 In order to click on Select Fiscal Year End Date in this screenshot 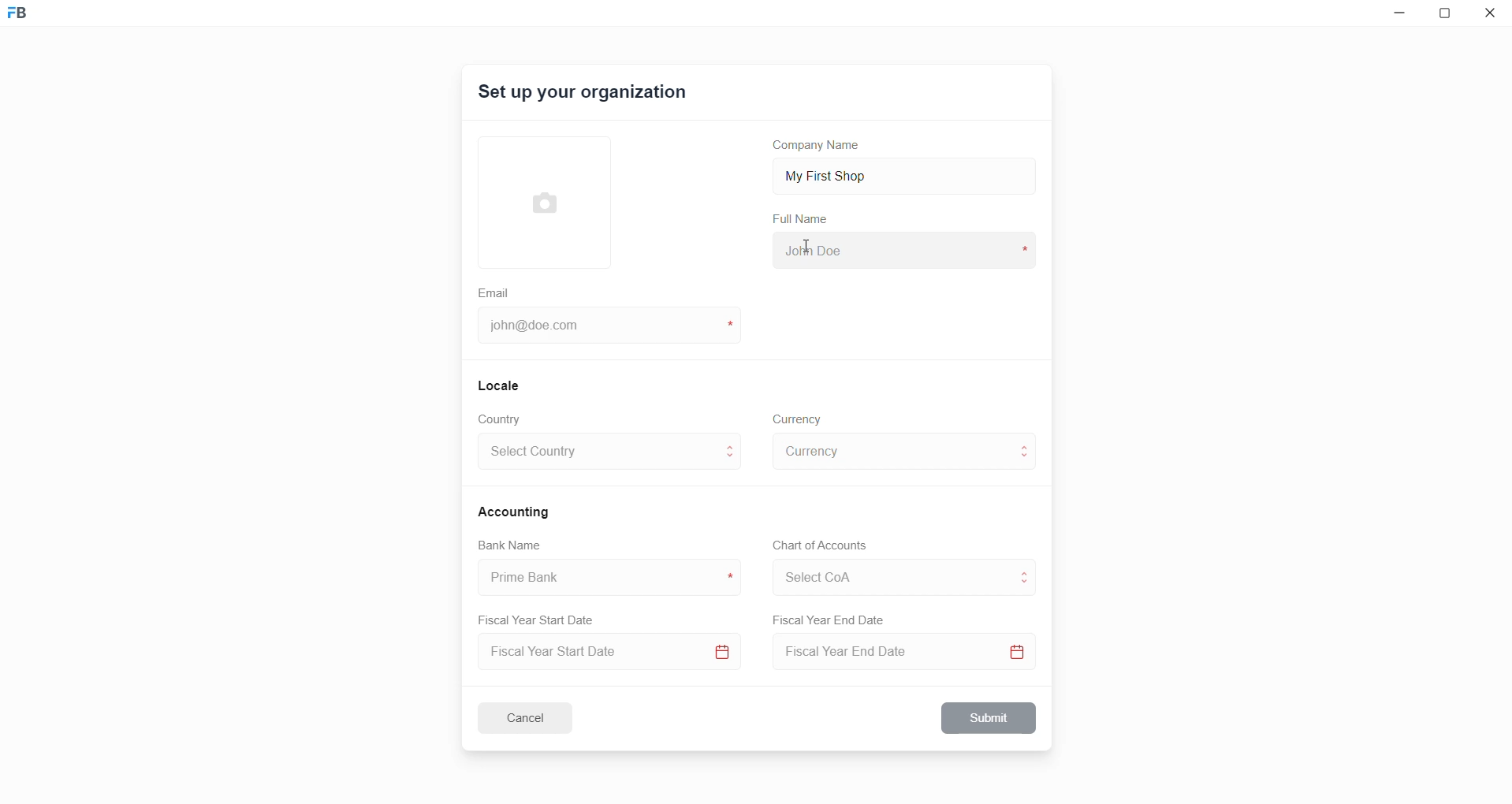, I will do `click(909, 655)`.